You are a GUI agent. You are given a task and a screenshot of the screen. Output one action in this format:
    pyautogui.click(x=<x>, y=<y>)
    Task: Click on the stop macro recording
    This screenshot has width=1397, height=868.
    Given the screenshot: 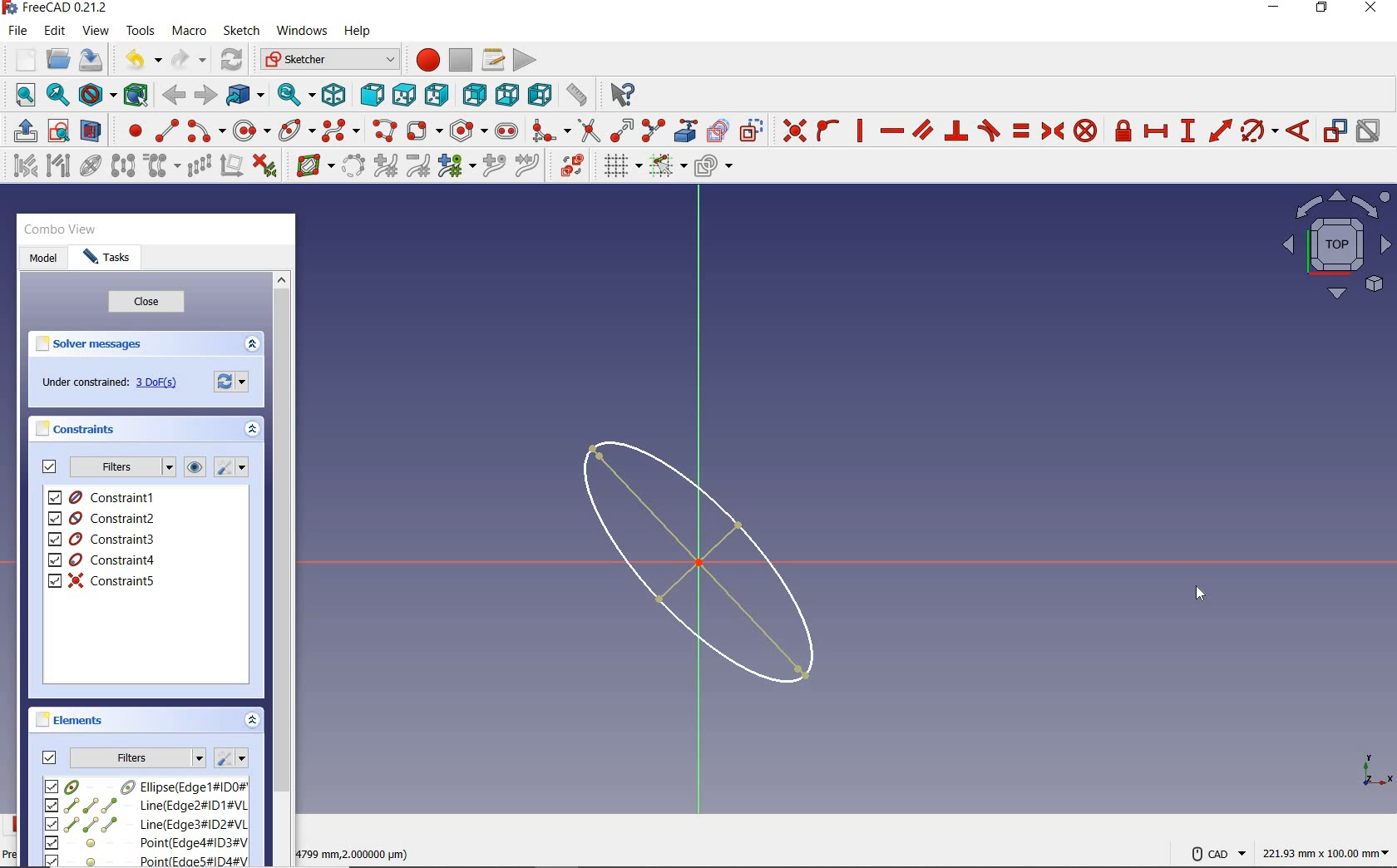 What is the action you would take?
    pyautogui.click(x=462, y=59)
    